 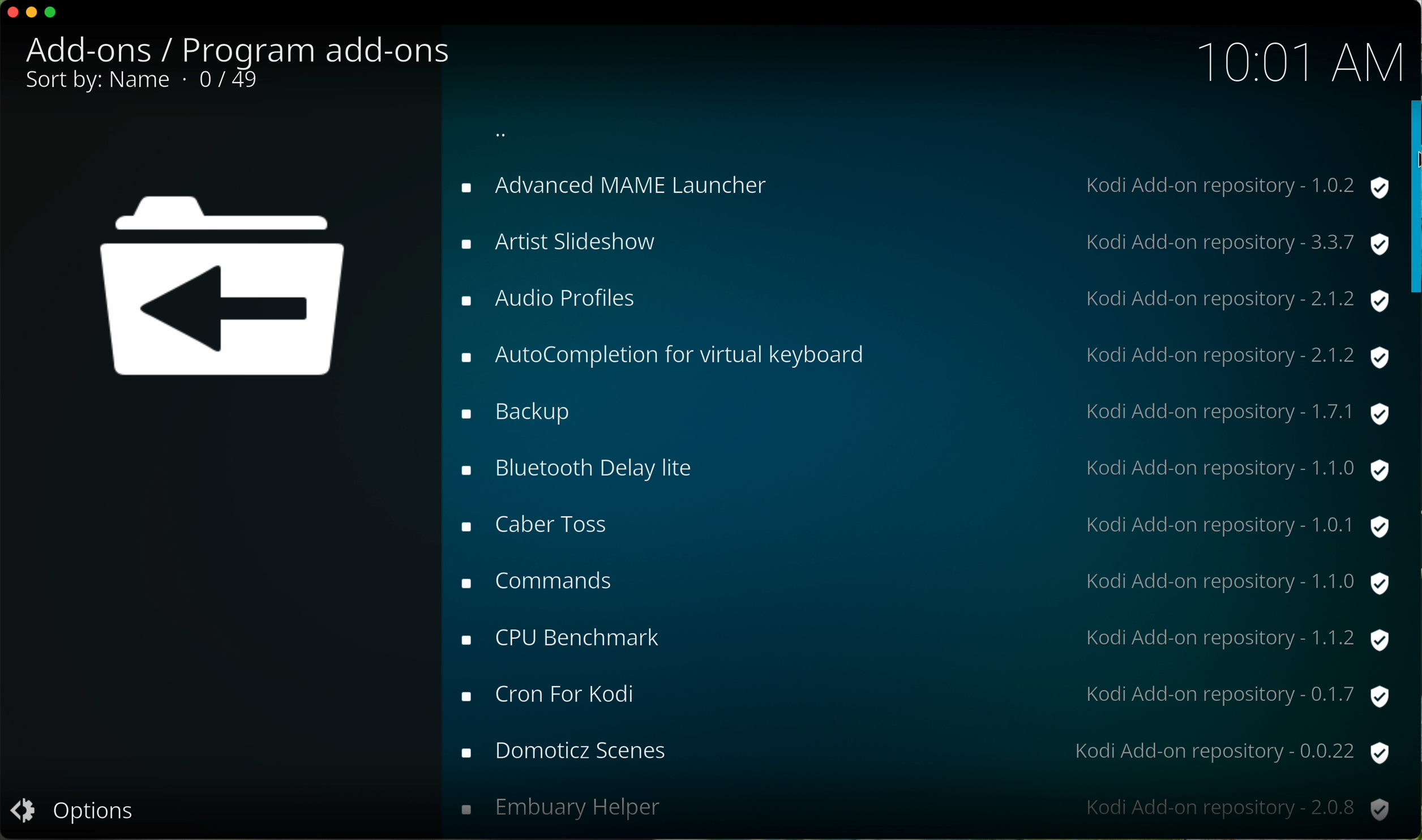 I want to click on back icon, so click(x=224, y=278).